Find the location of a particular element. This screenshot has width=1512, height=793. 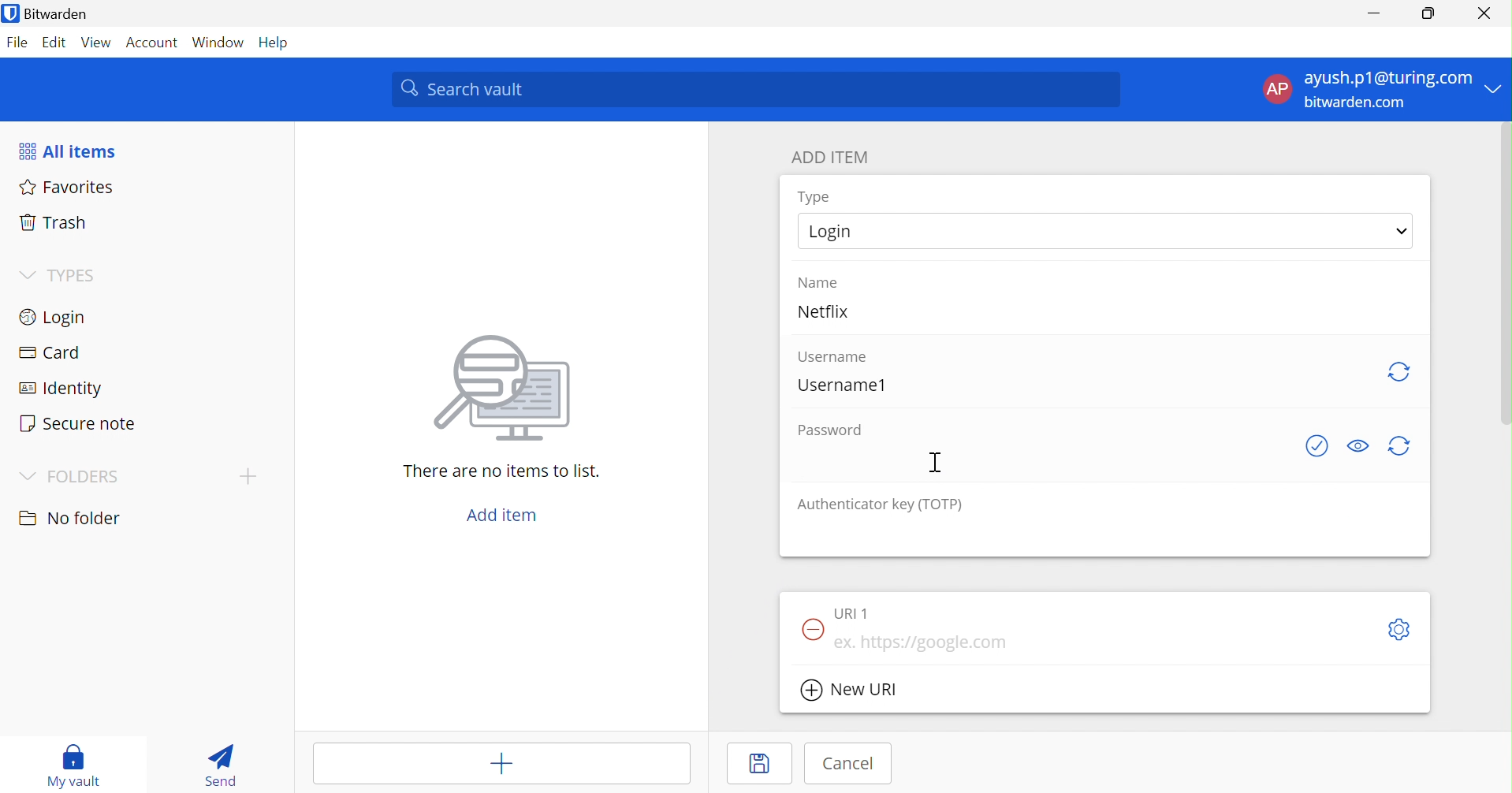

scrollbar is located at coordinates (1506, 273).